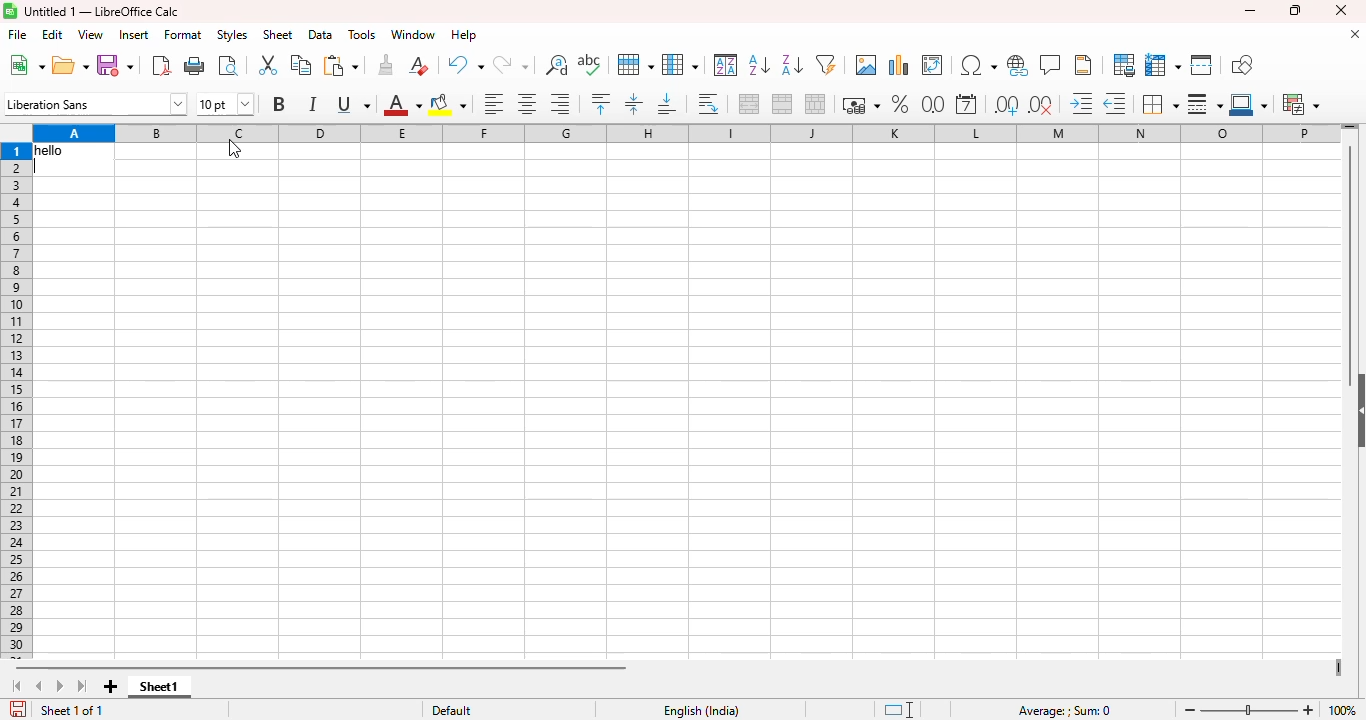 The image size is (1366, 720). Describe the element at coordinates (815, 104) in the screenshot. I see `unmerge cells` at that location.